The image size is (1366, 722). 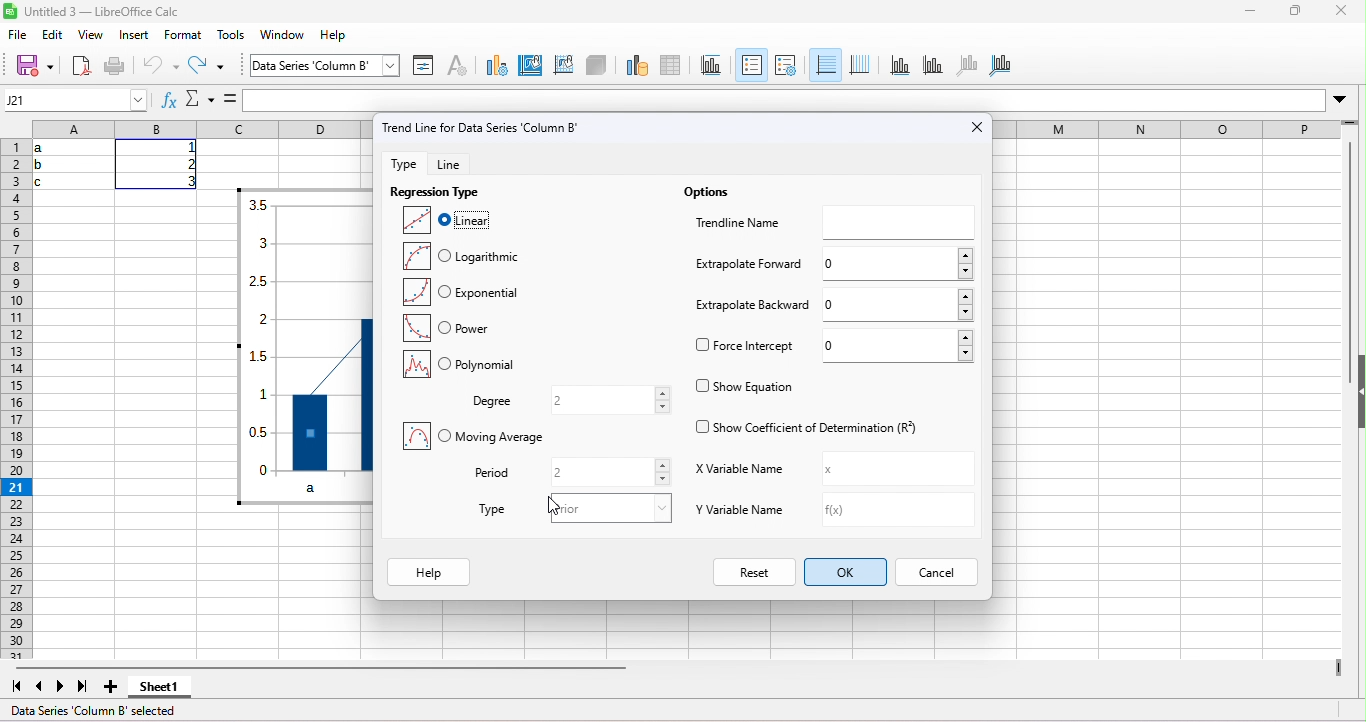 What do you see at coordinates (825, 65) in the screenshot?
I see `horizontal grids ` at bounding box center [825, 65].